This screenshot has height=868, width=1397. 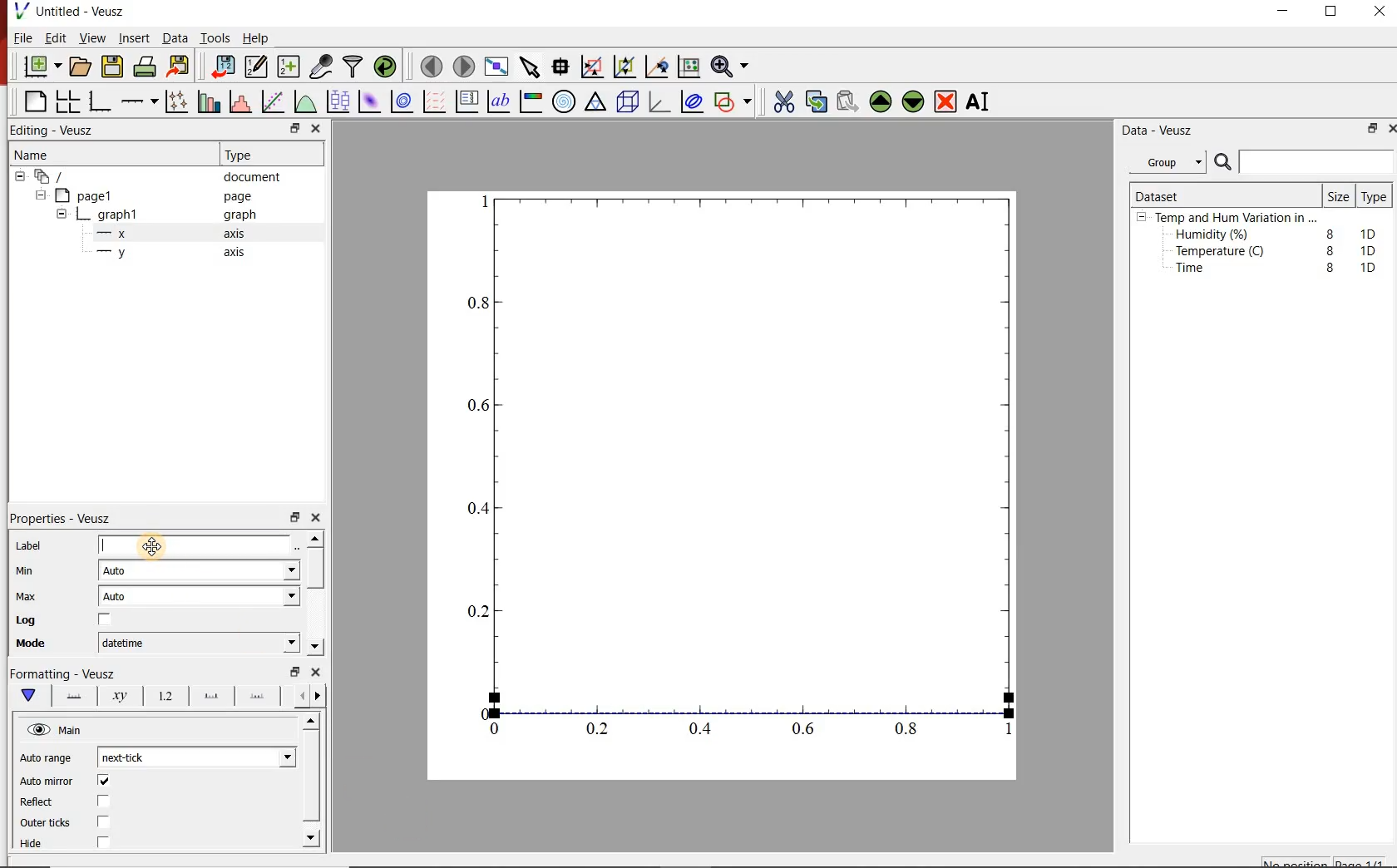 What do you see at coordinates (47, 156) in the screenshot?
I see `Name` at bounding box center [47, 156].